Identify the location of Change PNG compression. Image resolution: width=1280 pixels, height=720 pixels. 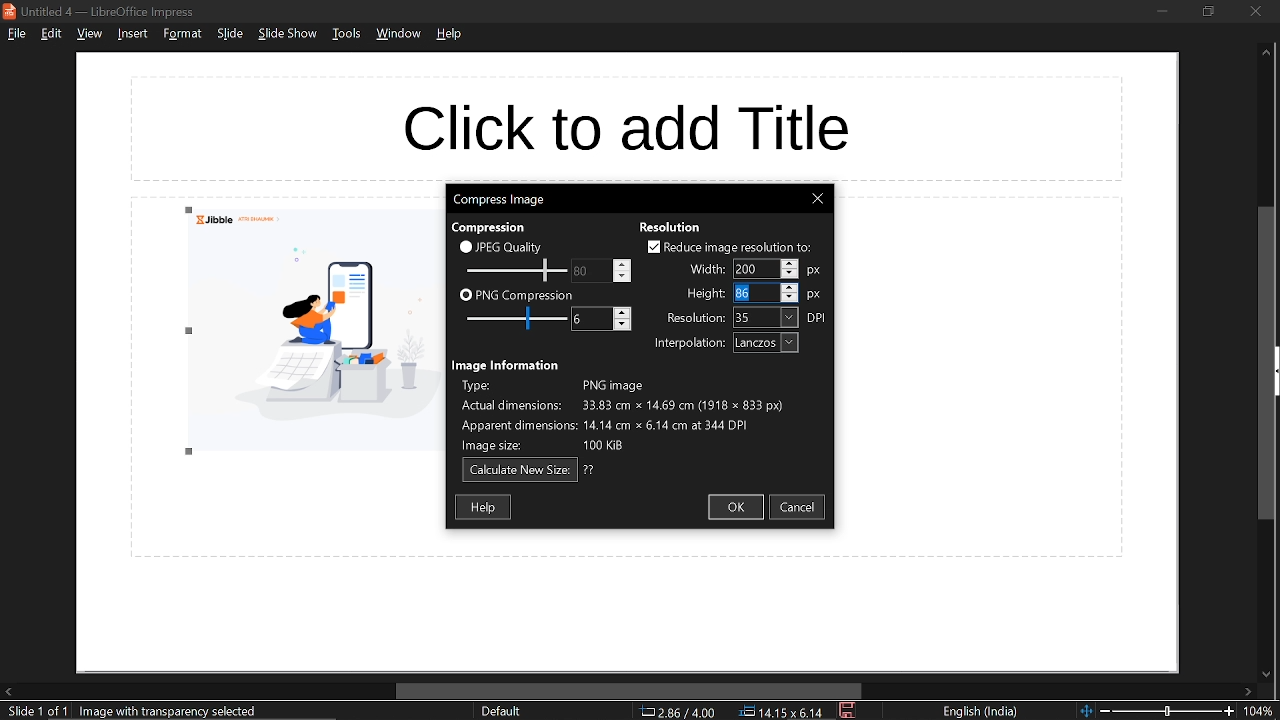
(591, 320).